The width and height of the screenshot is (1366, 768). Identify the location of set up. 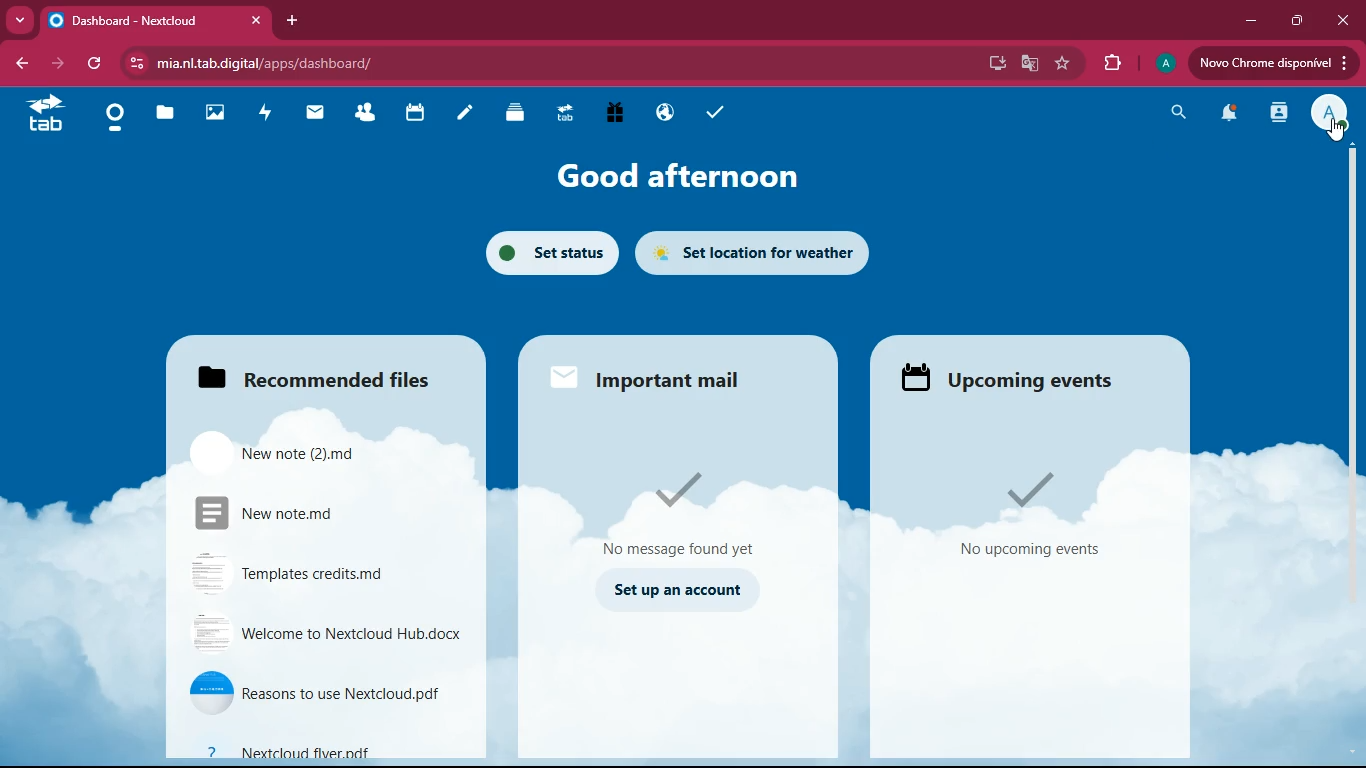
(680, 589).